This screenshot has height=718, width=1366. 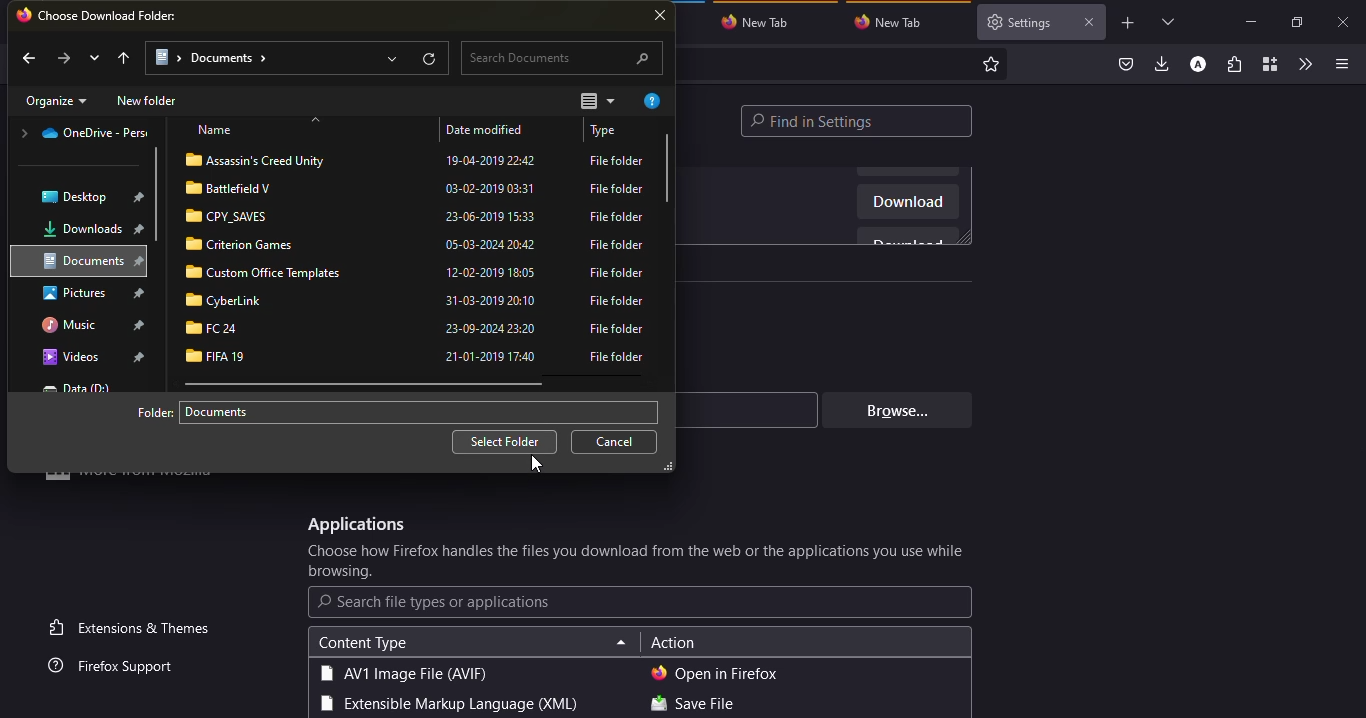 I want to click on sort, so click(x=597, y=102).